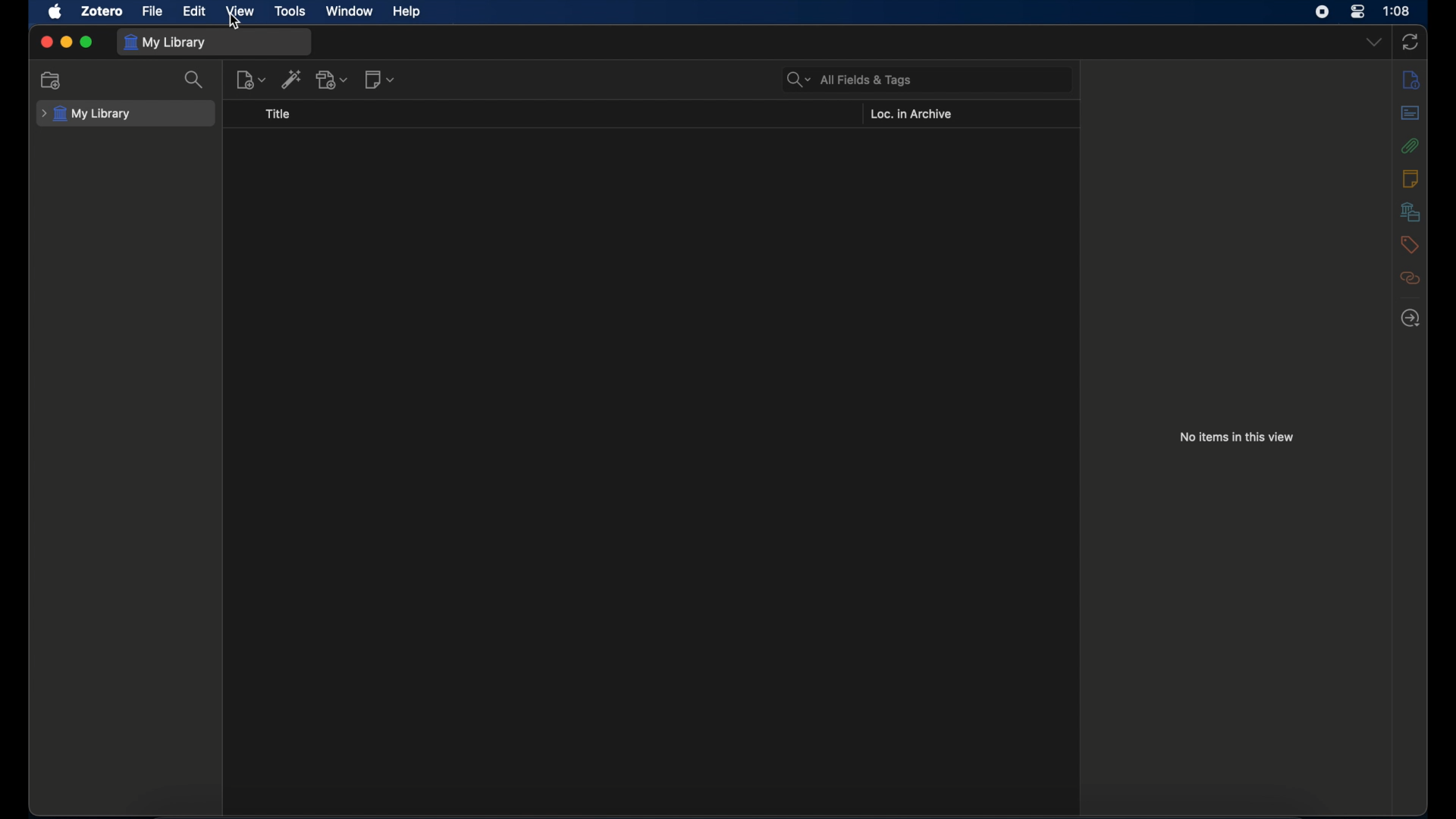 Image resolution: width=1456 pixels, height=819 pixels. Describe the element at coordinates (910, 115) in the screenshot. I see `loc. in archive` at that location.